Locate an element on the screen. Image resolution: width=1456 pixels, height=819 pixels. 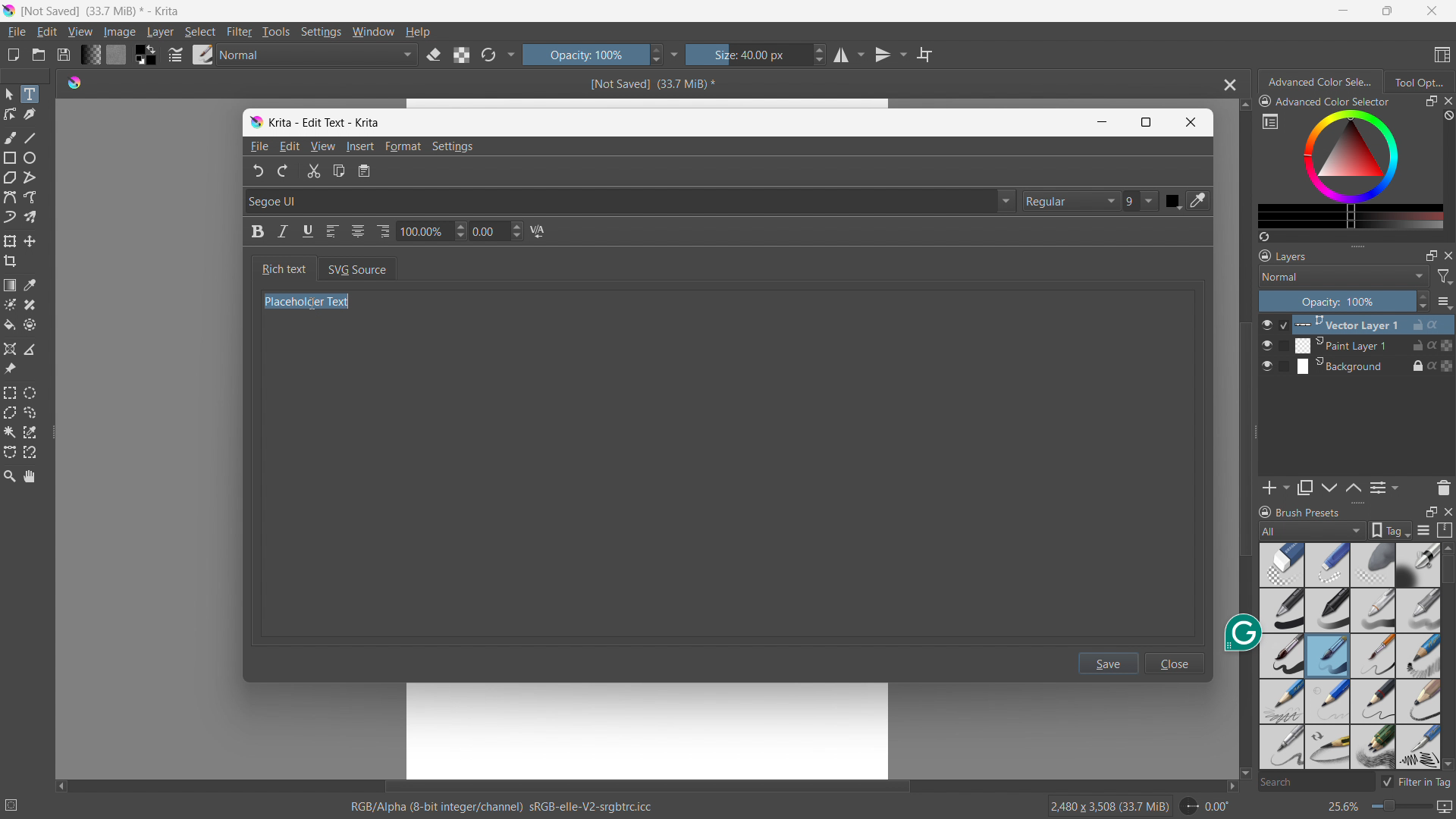
color wheels is located at coordinates (1351, 155).